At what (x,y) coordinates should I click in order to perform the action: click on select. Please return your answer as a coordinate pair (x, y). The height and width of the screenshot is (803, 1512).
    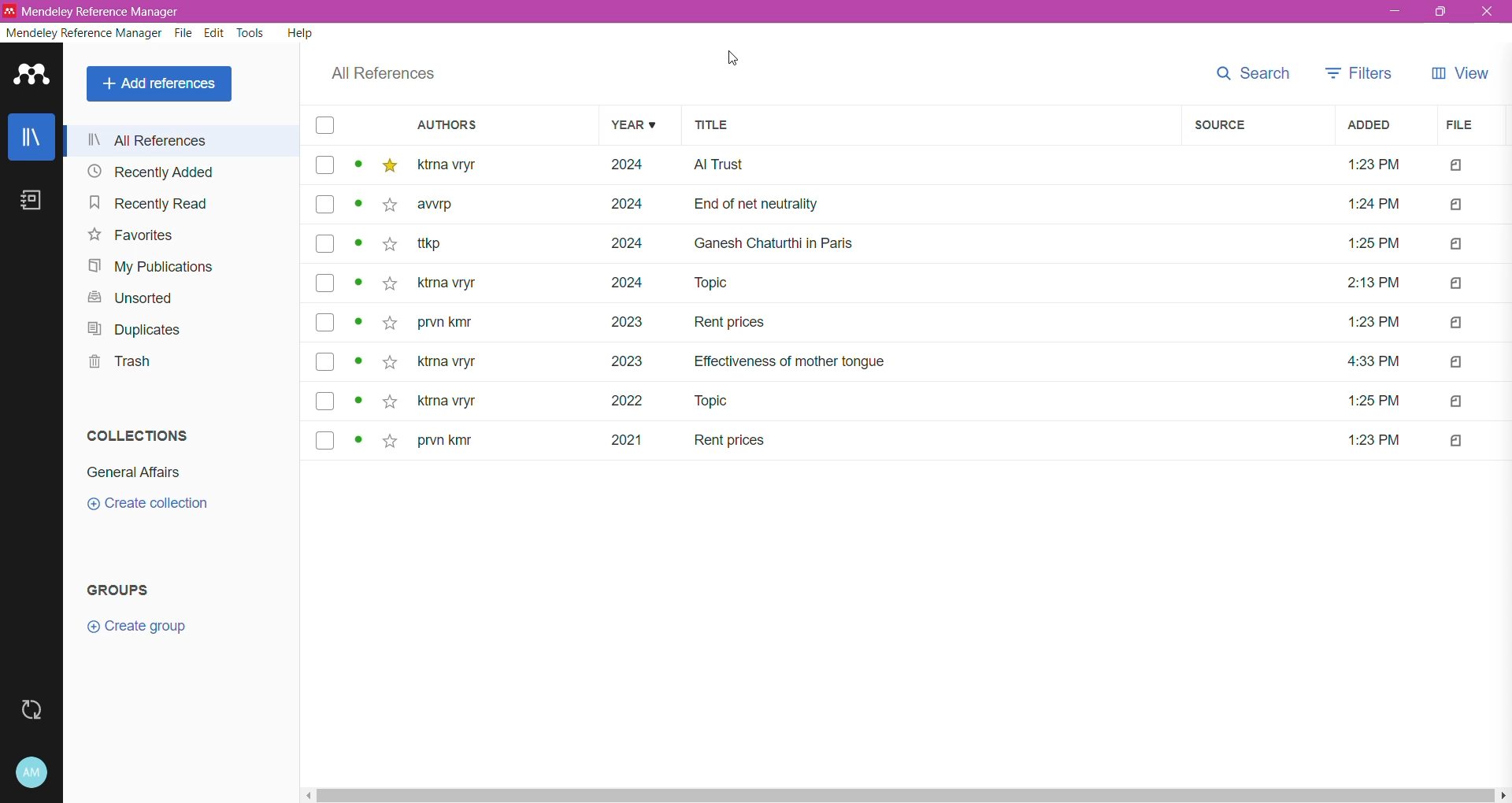
    Looking at the image, I should click on (325, 361).